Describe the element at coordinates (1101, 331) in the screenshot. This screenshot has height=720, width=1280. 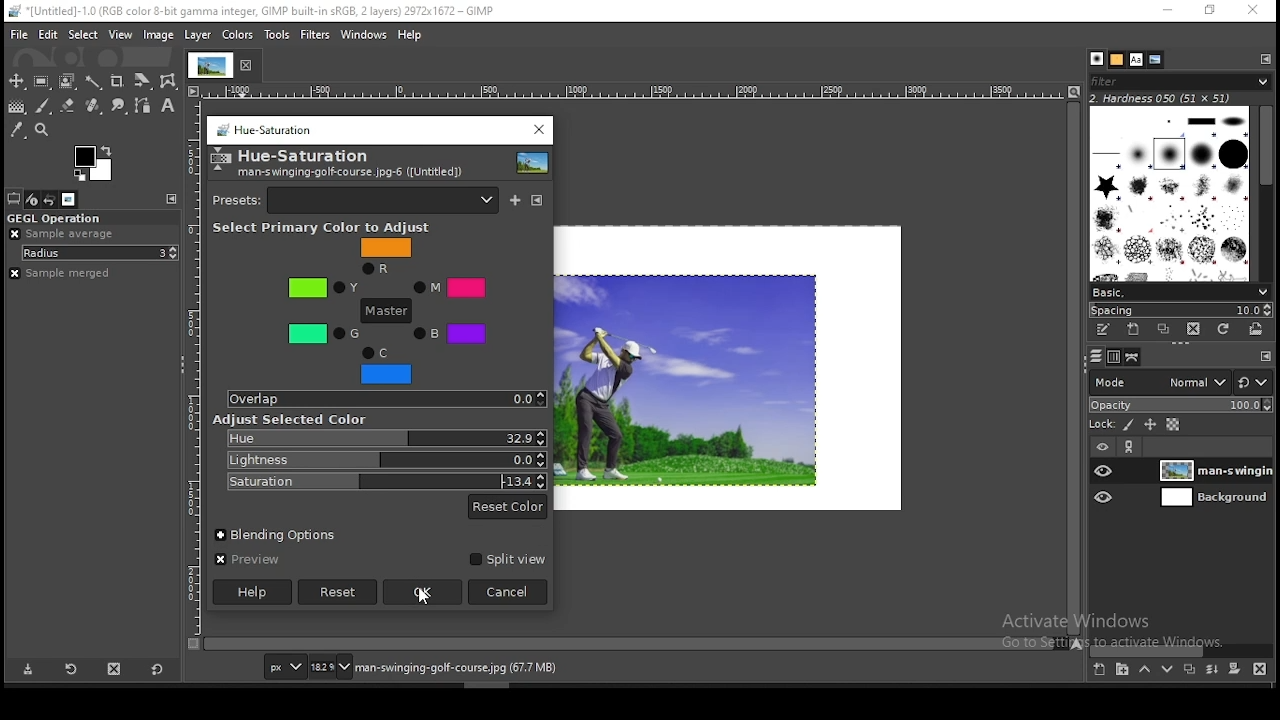
I see `edit this brush` at that location.